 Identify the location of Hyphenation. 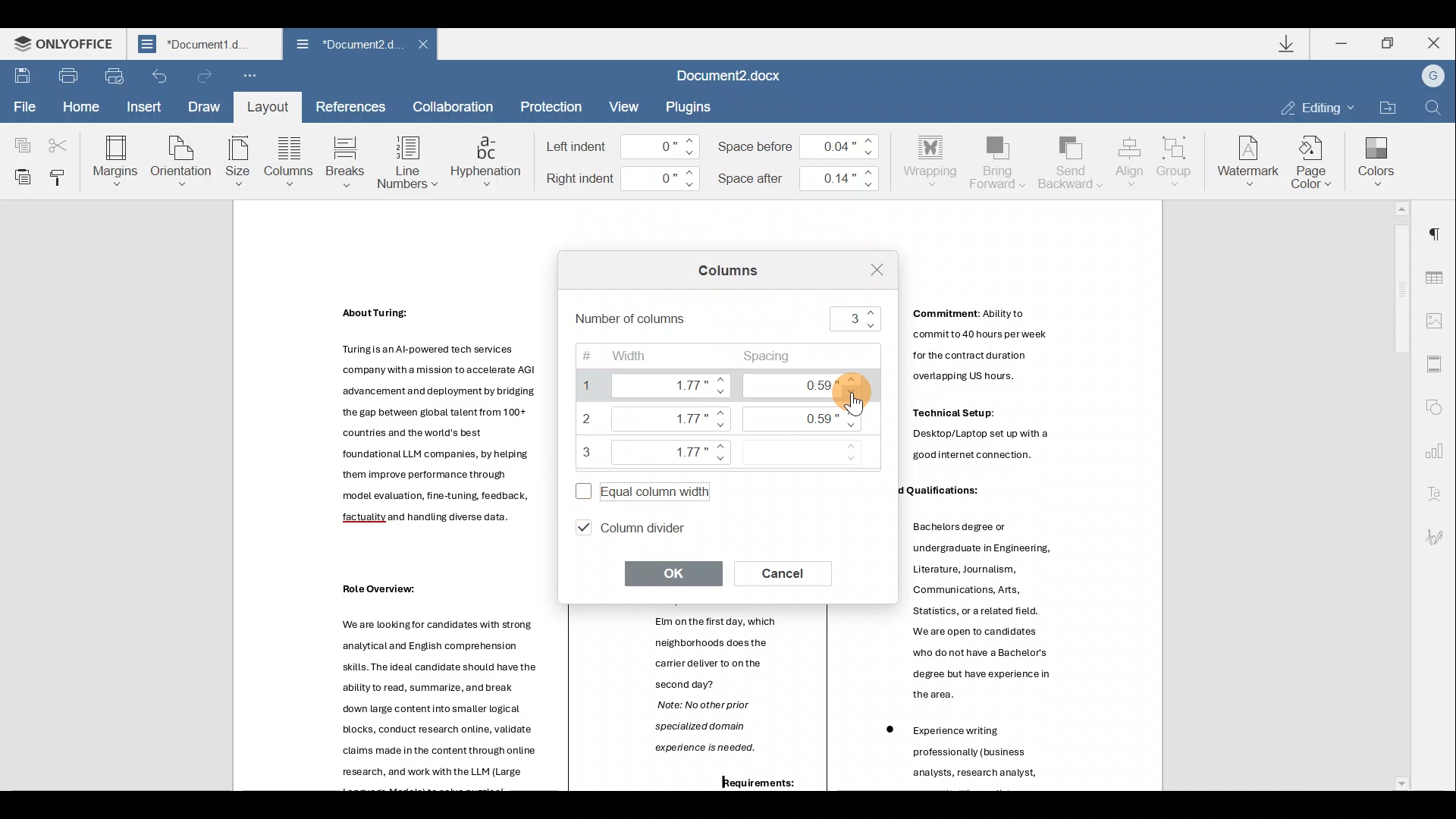
(487, 158).